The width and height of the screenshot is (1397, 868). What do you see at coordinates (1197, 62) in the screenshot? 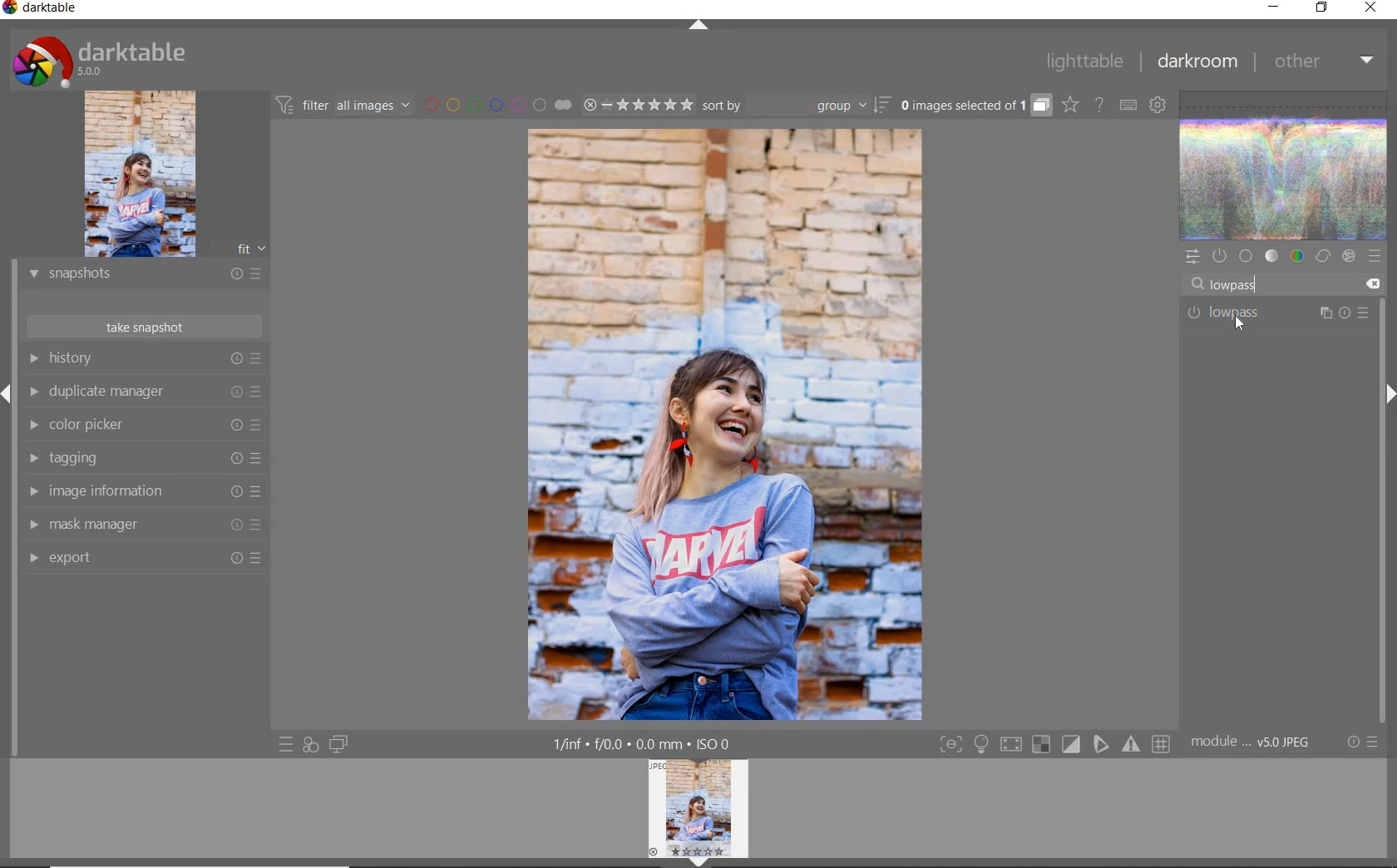
I see `darkroom` at bounding box center [1197, 62].